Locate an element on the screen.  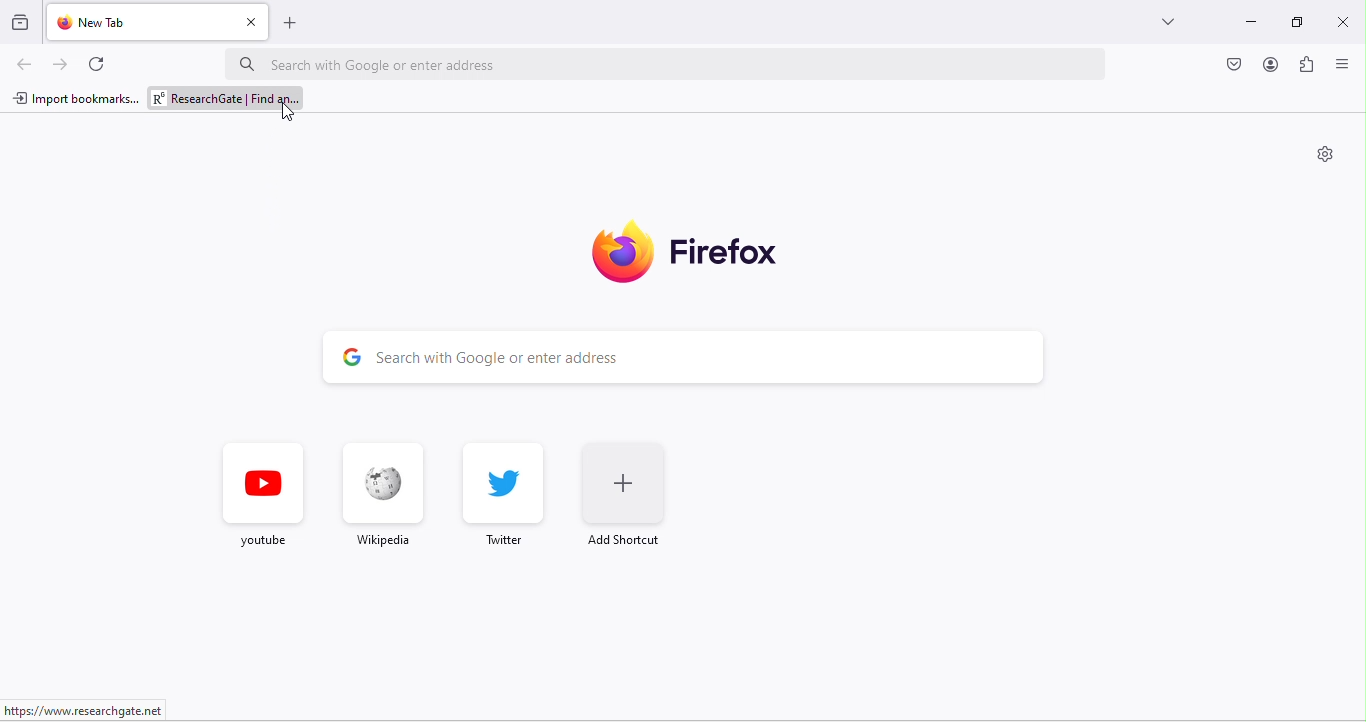
Firefox logo is located at coordinates (620, 250).